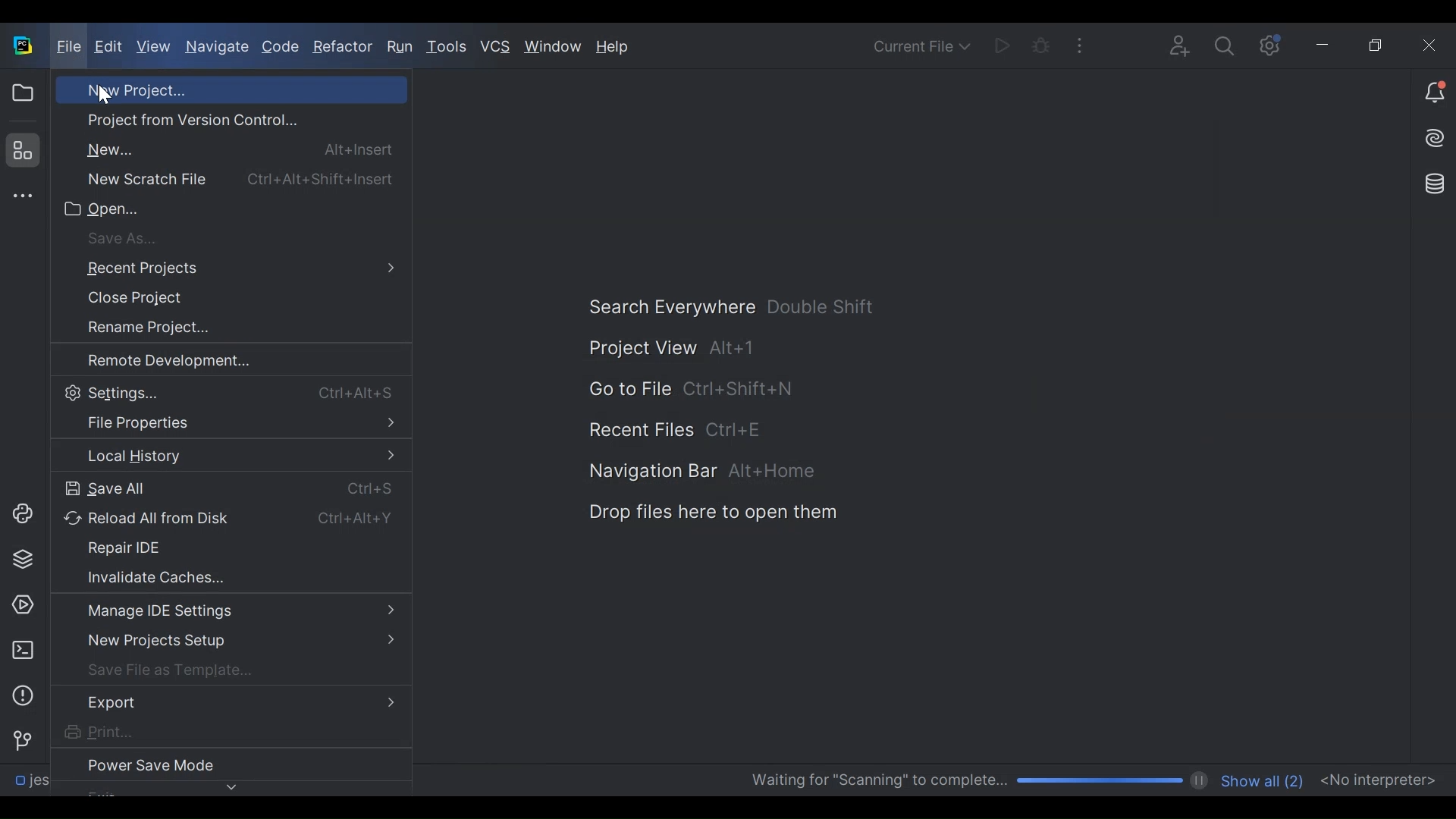 The image size is (1456, 819). Describe the element at coordinates (67, 48) in the screenshot. I see `File` at that location.